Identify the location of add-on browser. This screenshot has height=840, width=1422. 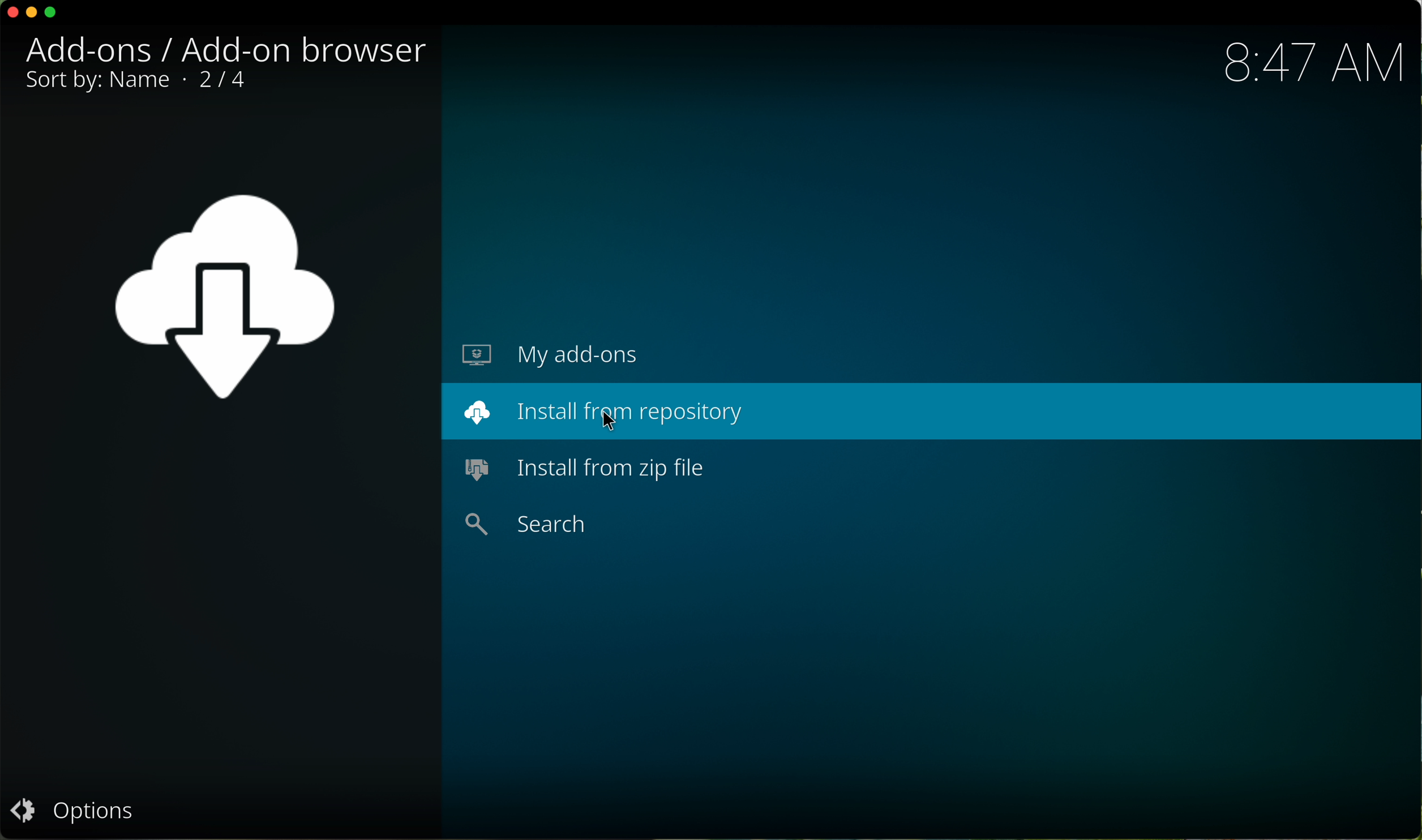
(306, 50).